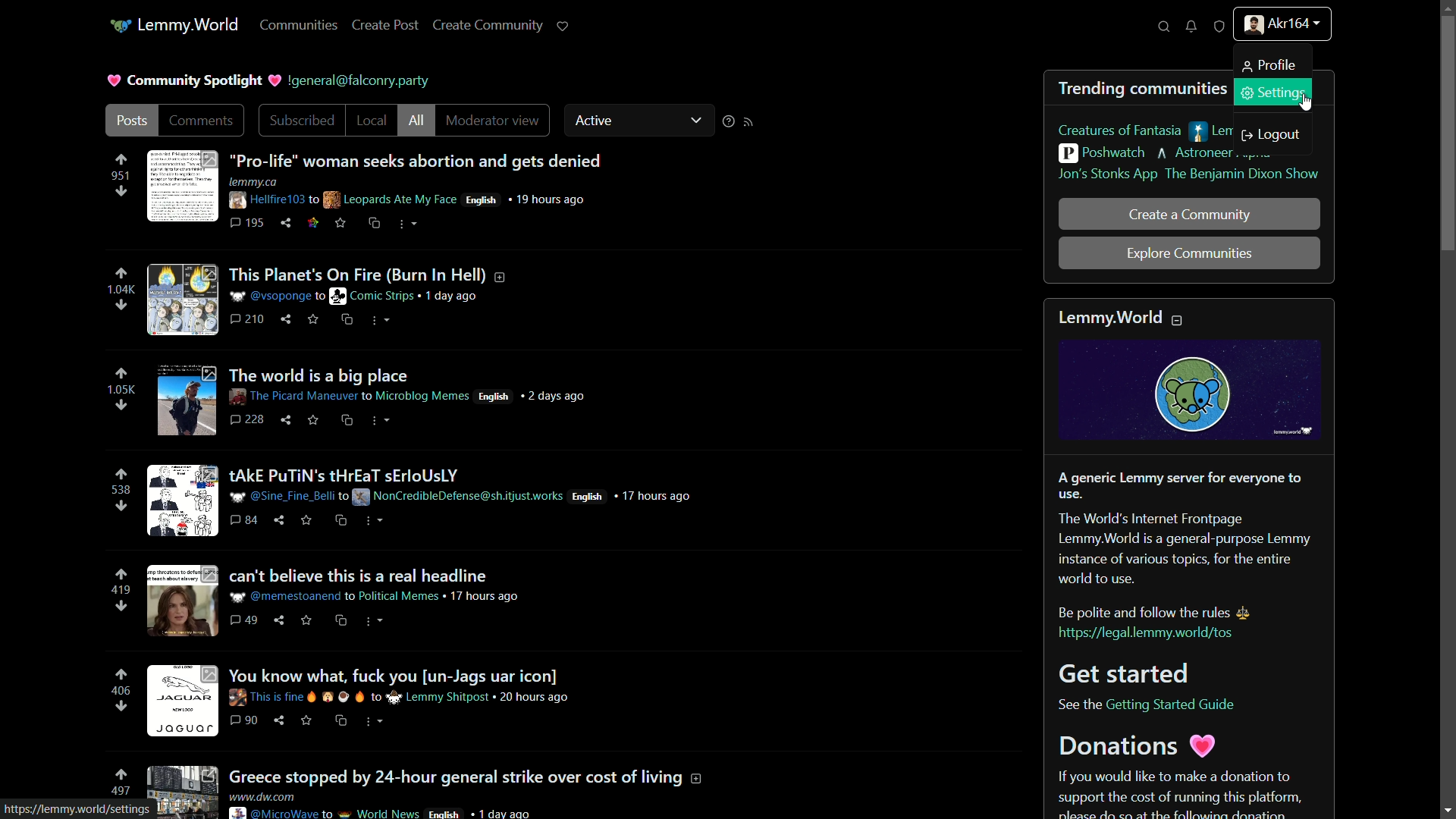 The image size is (1456, 819). Describe the element at coordinates (122, 475) in the screenshot. I see `upvote` at that location.